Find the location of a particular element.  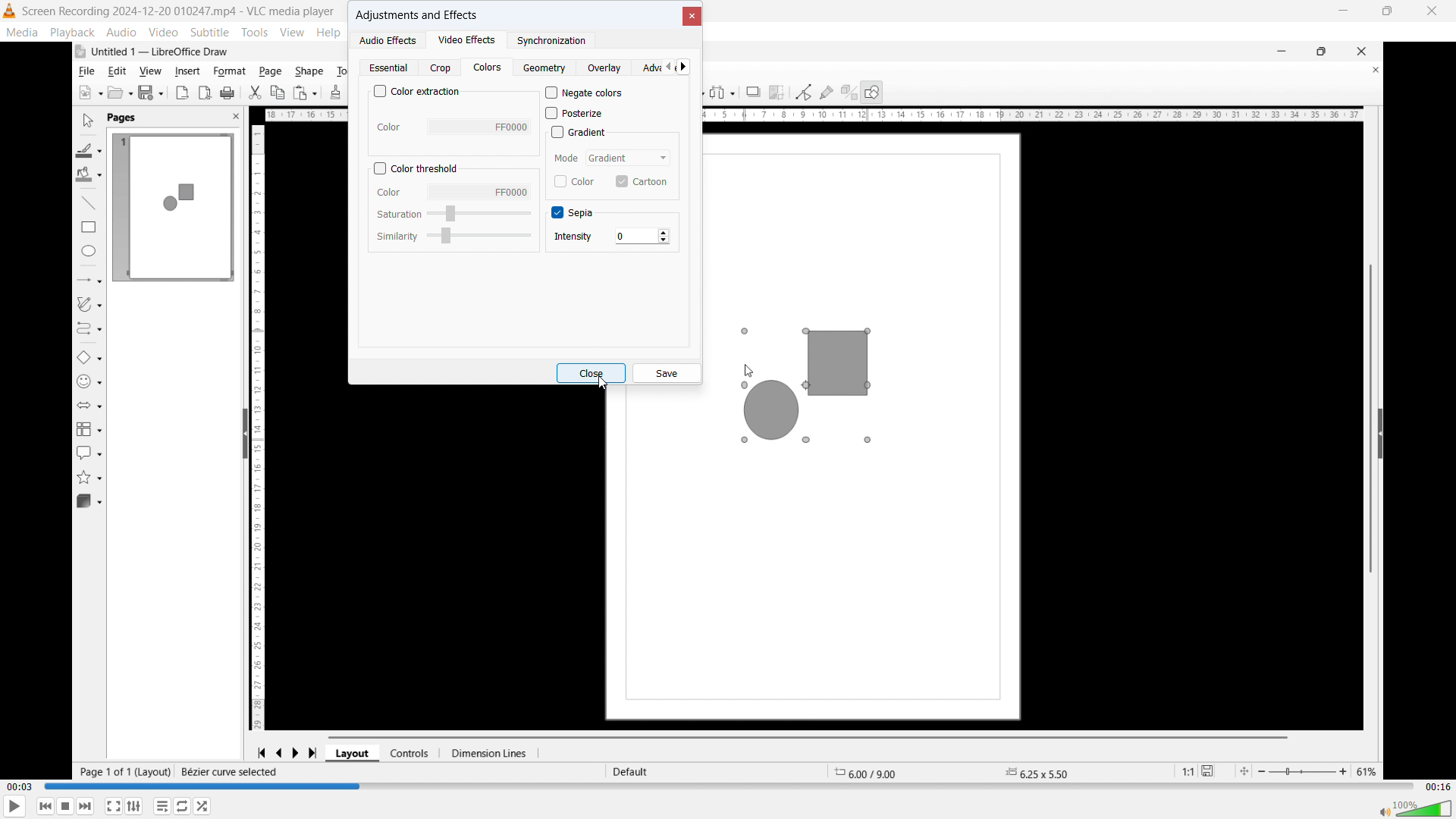

subtitle is located at coordinates (210, 31).